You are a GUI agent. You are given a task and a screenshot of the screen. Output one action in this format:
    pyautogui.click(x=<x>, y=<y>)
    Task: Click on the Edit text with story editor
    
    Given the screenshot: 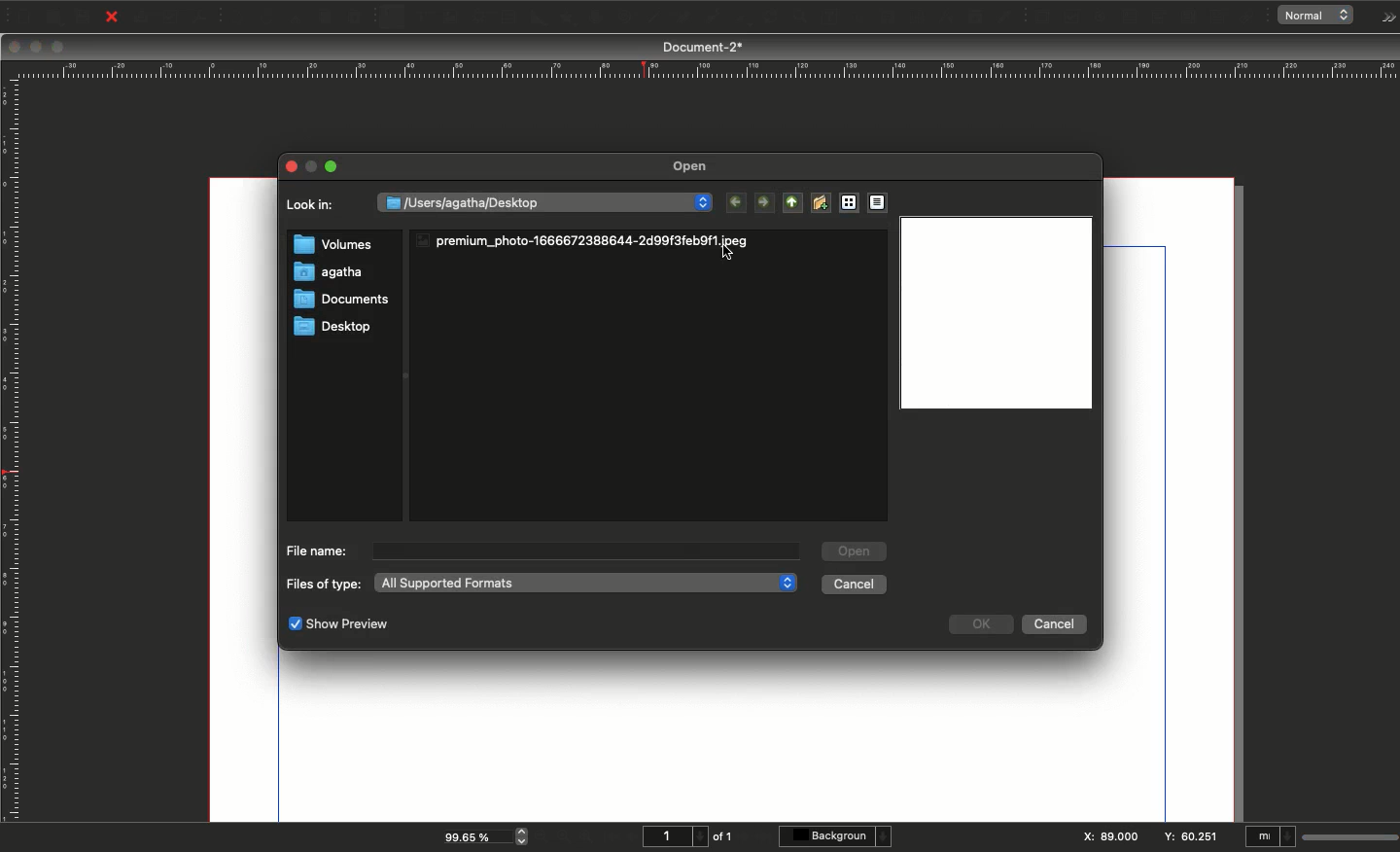 What is the action you would take?
    pyautogui.click(x=841, y=18)
    